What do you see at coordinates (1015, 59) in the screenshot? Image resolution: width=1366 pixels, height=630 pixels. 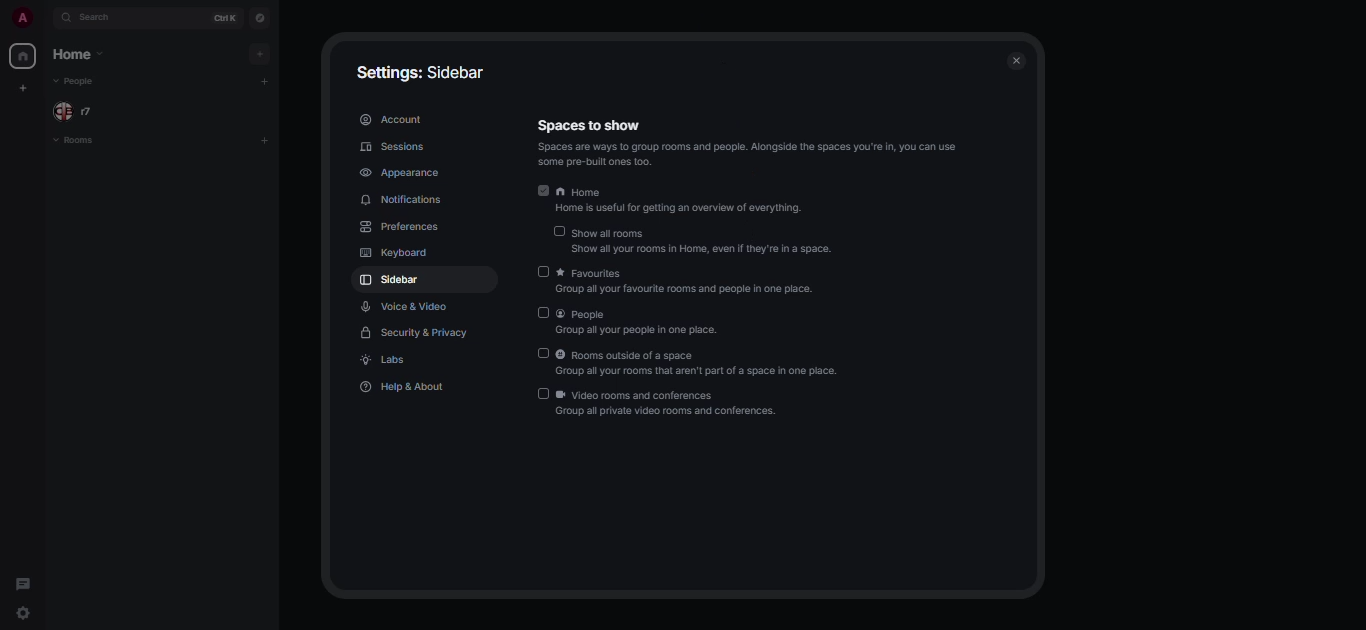 I see `close` at bounding box center [1015, 59].